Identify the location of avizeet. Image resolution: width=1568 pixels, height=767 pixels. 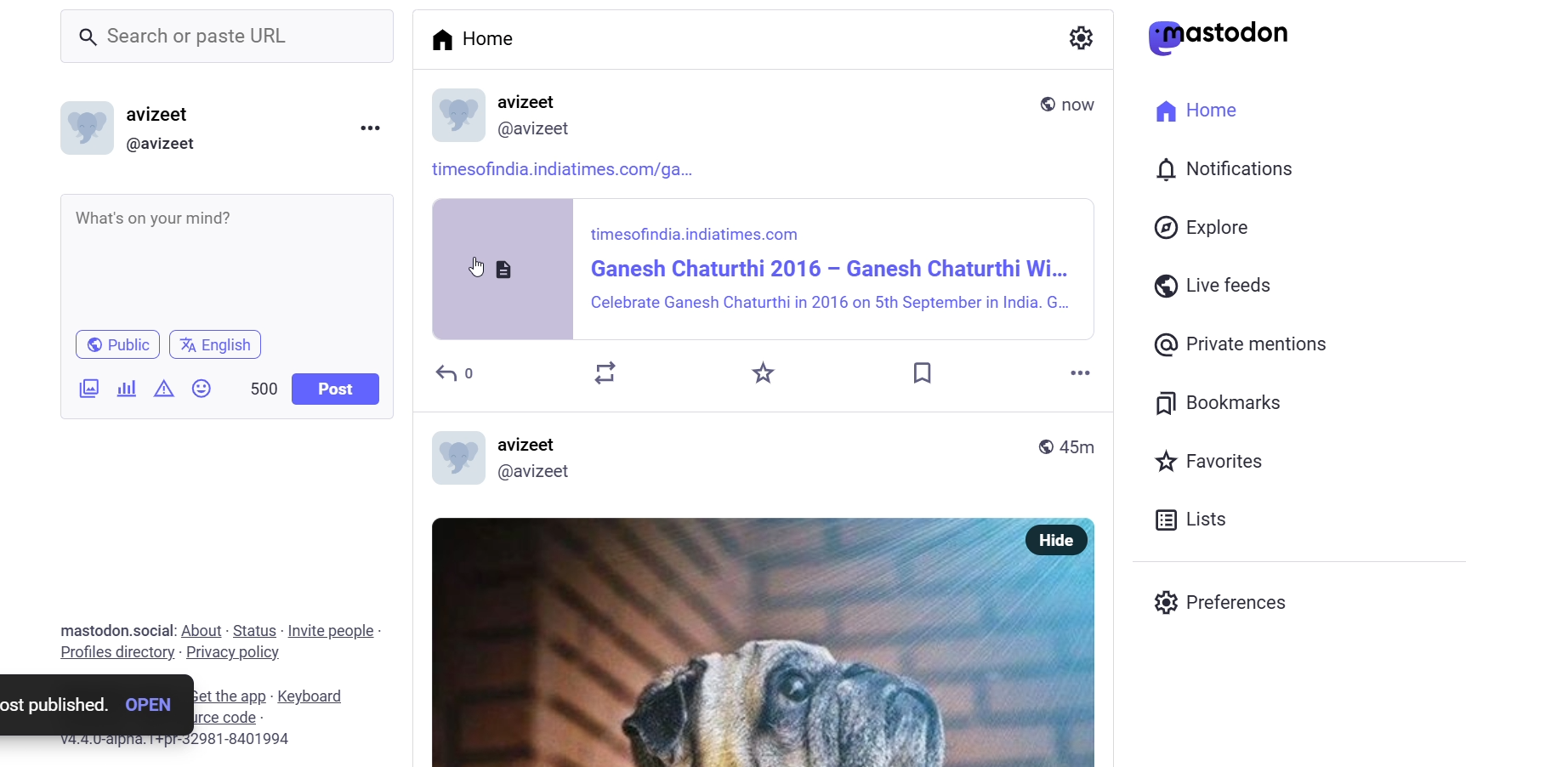
(184, 116).